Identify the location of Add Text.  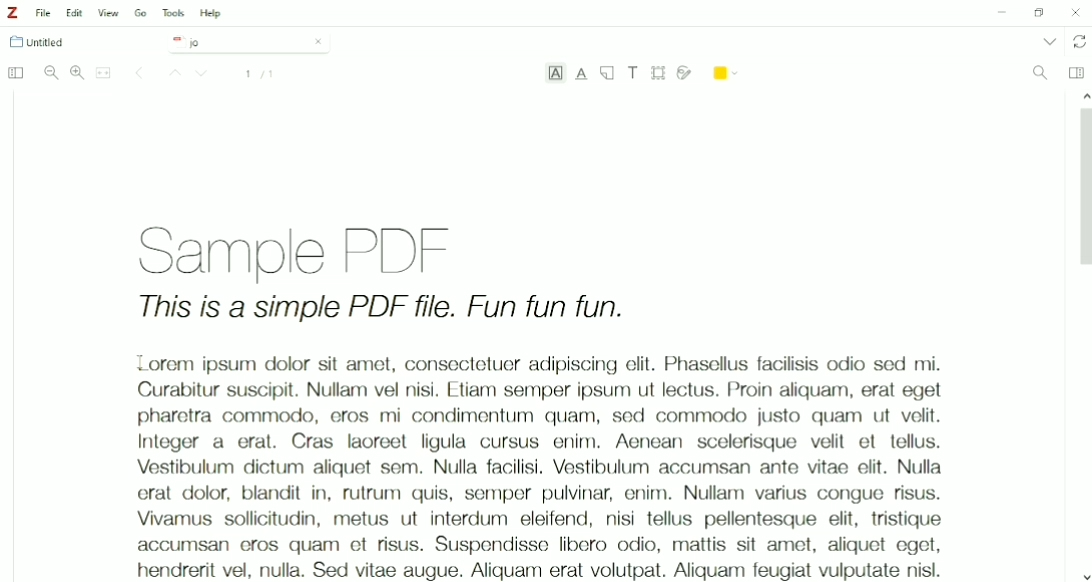
(634, 72).